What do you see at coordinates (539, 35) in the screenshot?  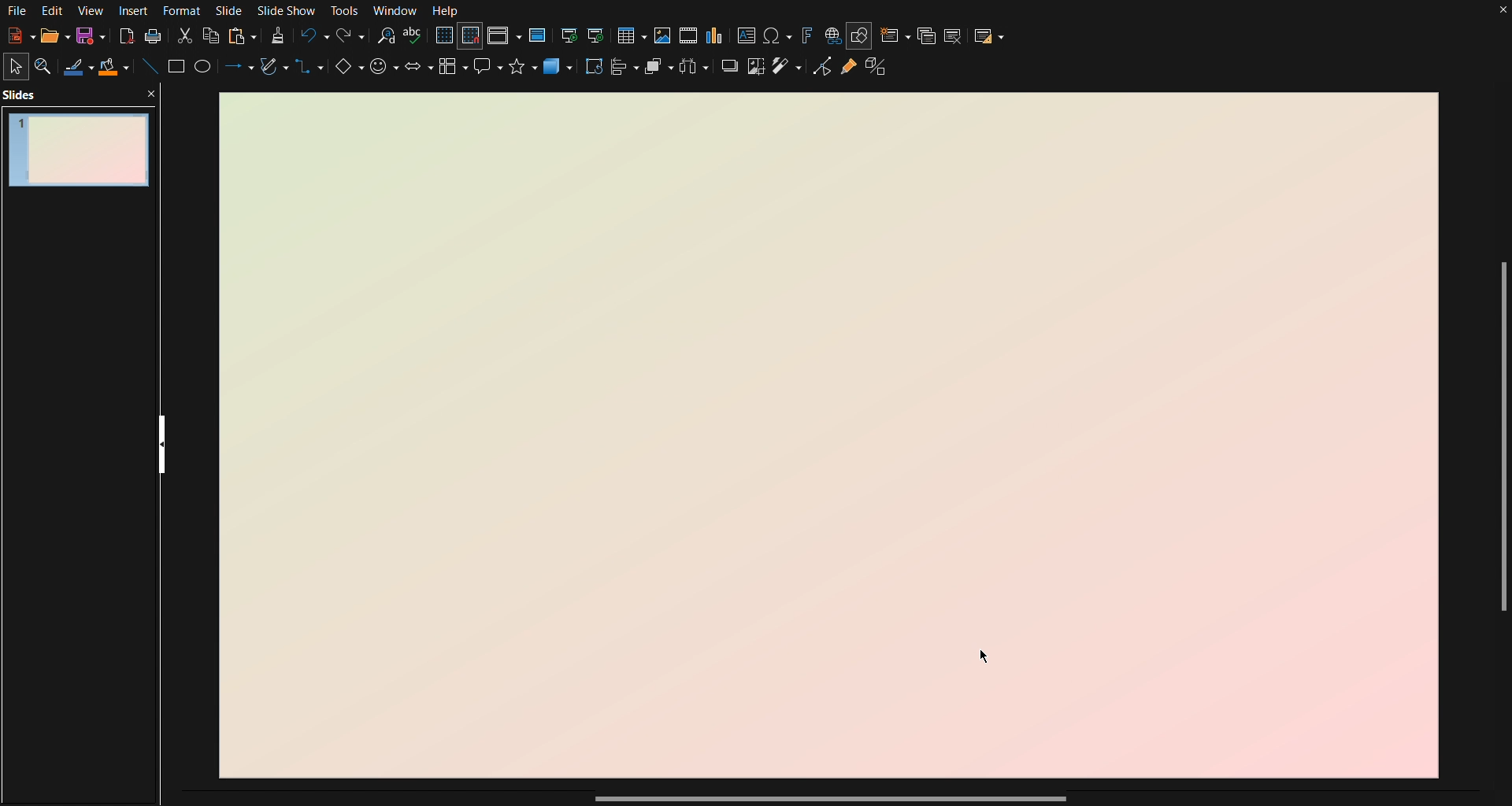 I see `Master Slide` at bounding box center [539, 35].